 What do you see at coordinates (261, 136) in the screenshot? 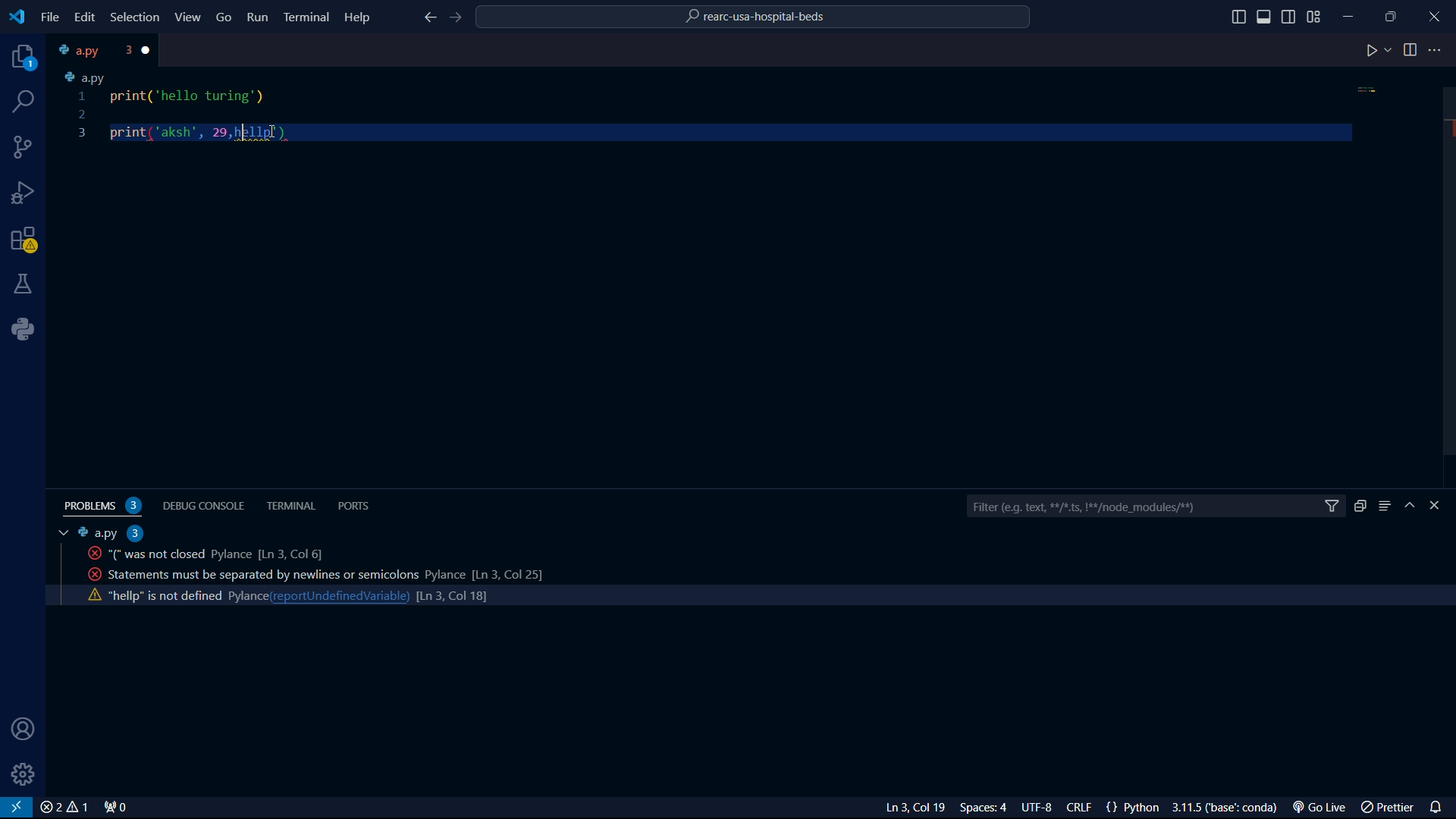
I see `cursor` at bounding box center [261, 136].